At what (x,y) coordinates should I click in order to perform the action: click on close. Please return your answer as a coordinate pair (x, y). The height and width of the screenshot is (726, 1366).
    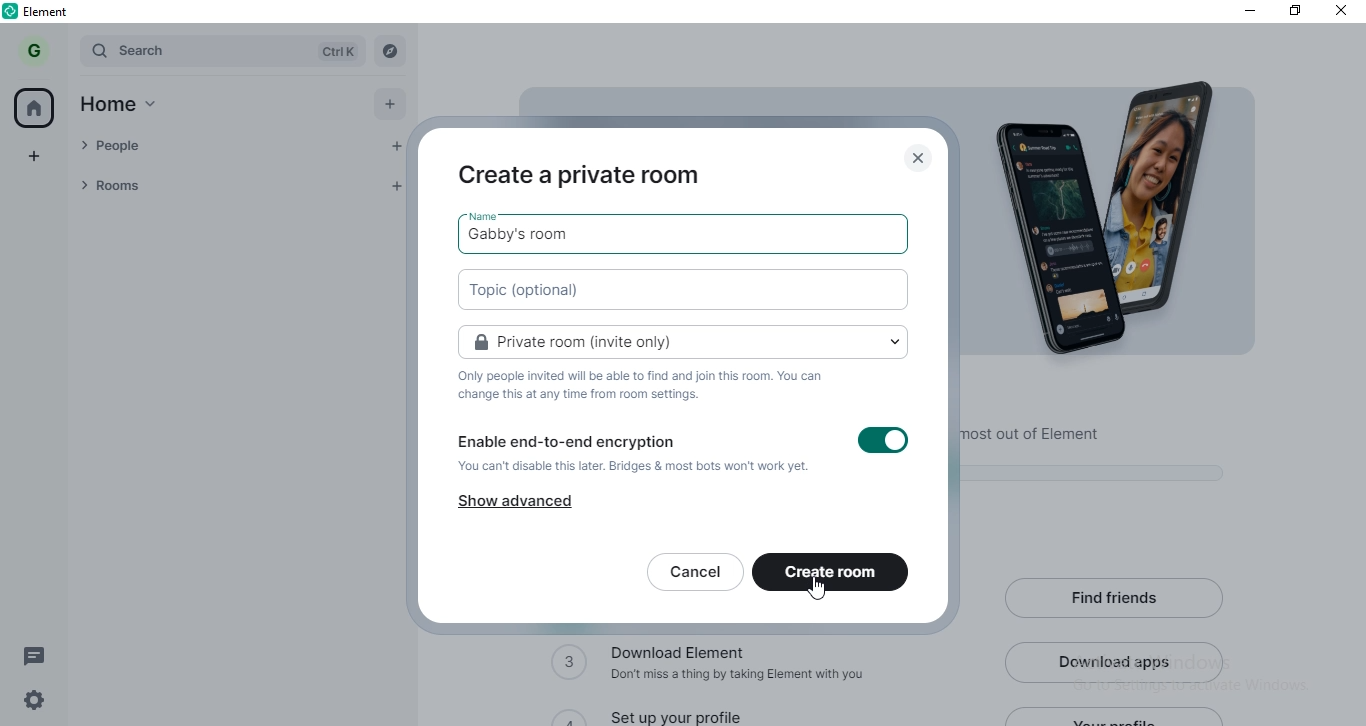
    Looking at the image, I should click on (1344, 13).